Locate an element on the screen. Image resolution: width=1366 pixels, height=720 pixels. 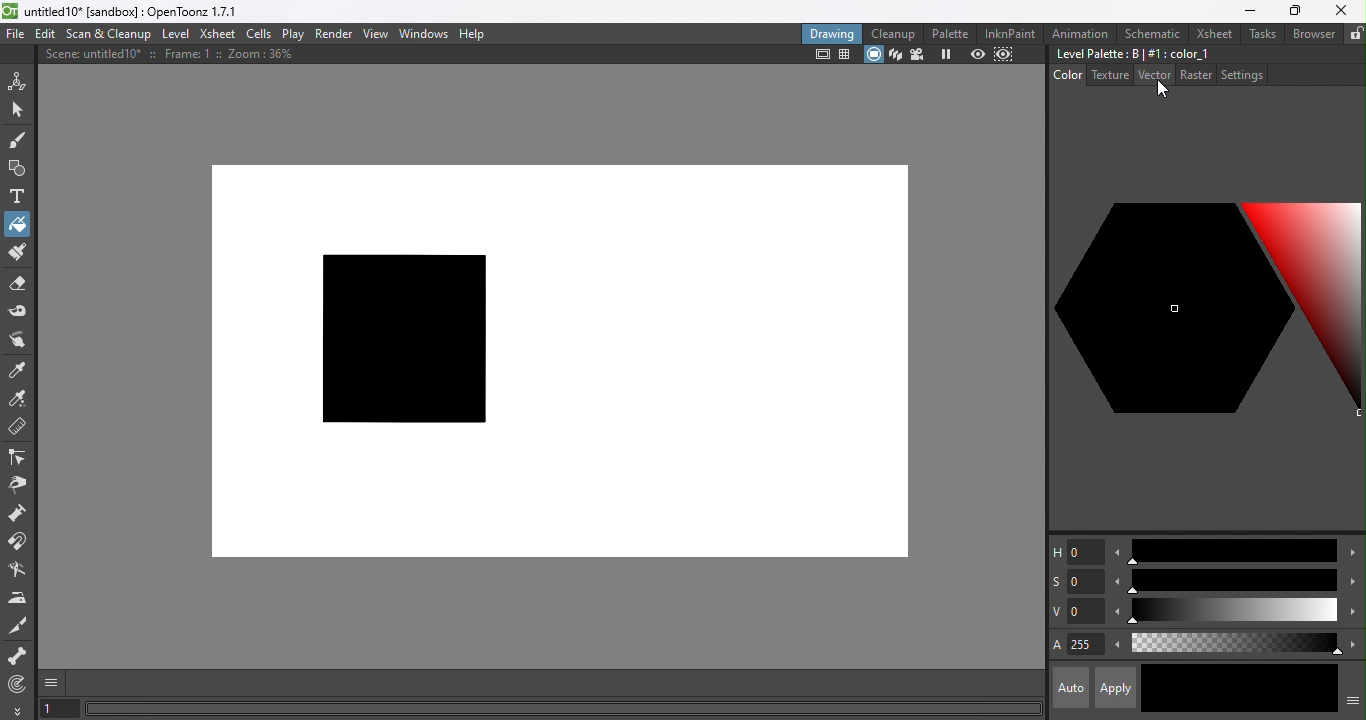
Sub-camera view is located at coordinates (1006, 54).